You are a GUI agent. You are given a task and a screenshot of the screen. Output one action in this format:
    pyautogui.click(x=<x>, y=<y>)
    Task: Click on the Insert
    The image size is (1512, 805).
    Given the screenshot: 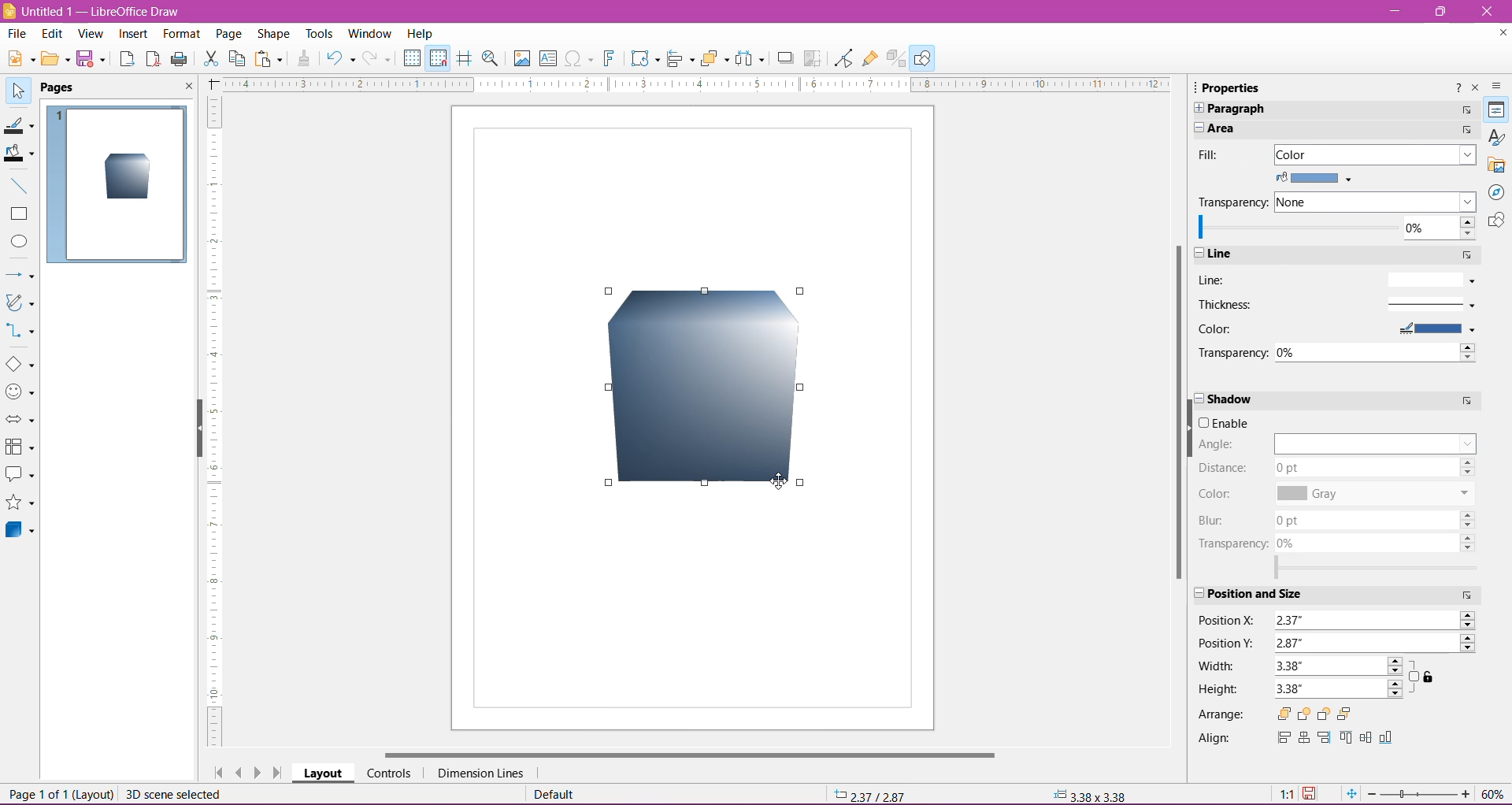 What is the action you would take?
    pyautogui.click(x=134, y=35)
    